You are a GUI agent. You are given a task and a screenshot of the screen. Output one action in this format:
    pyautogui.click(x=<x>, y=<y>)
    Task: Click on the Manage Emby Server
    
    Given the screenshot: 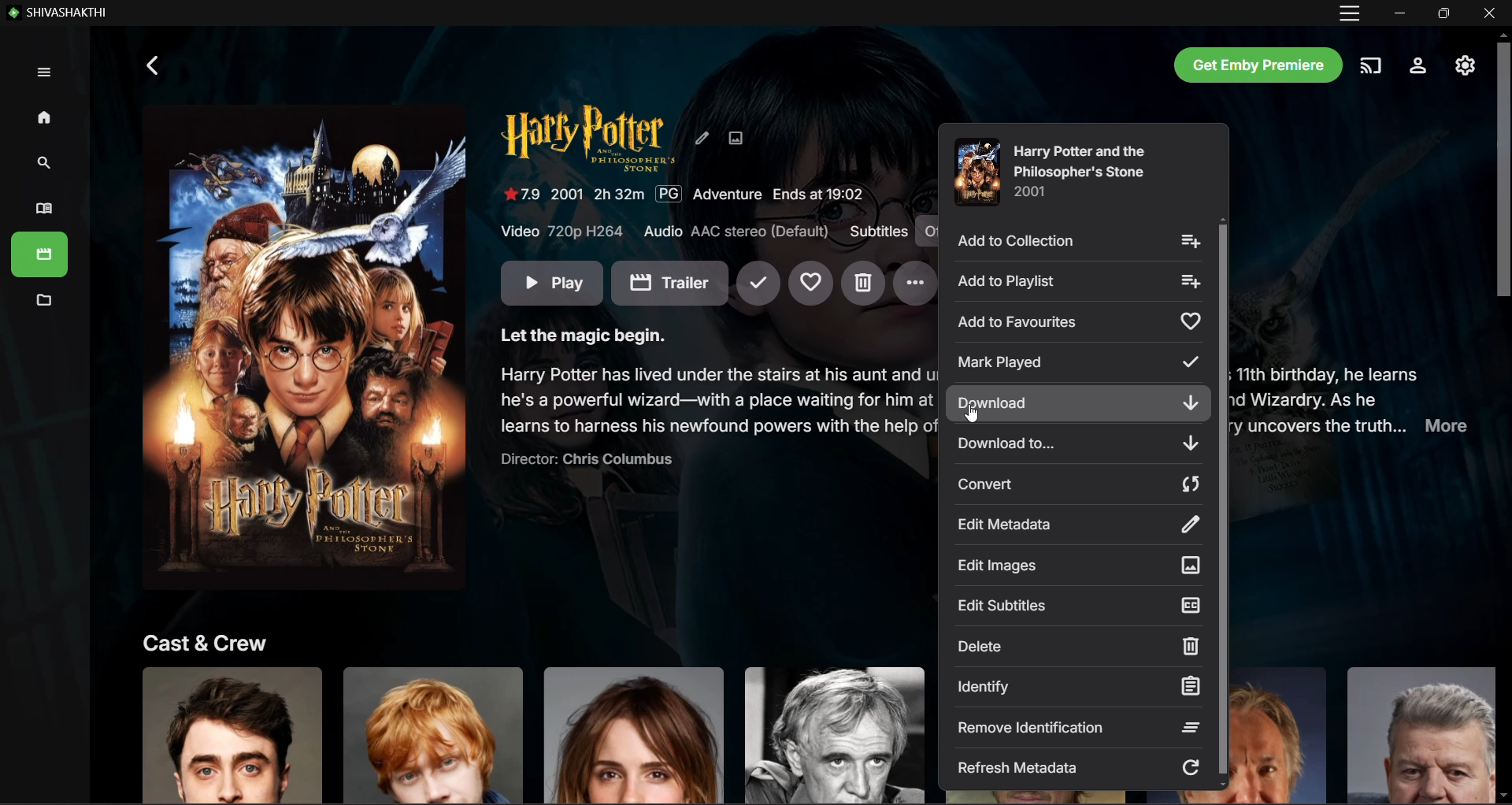 What is the action you would take?
    pyautogui.click(x=1464, y=66)
    